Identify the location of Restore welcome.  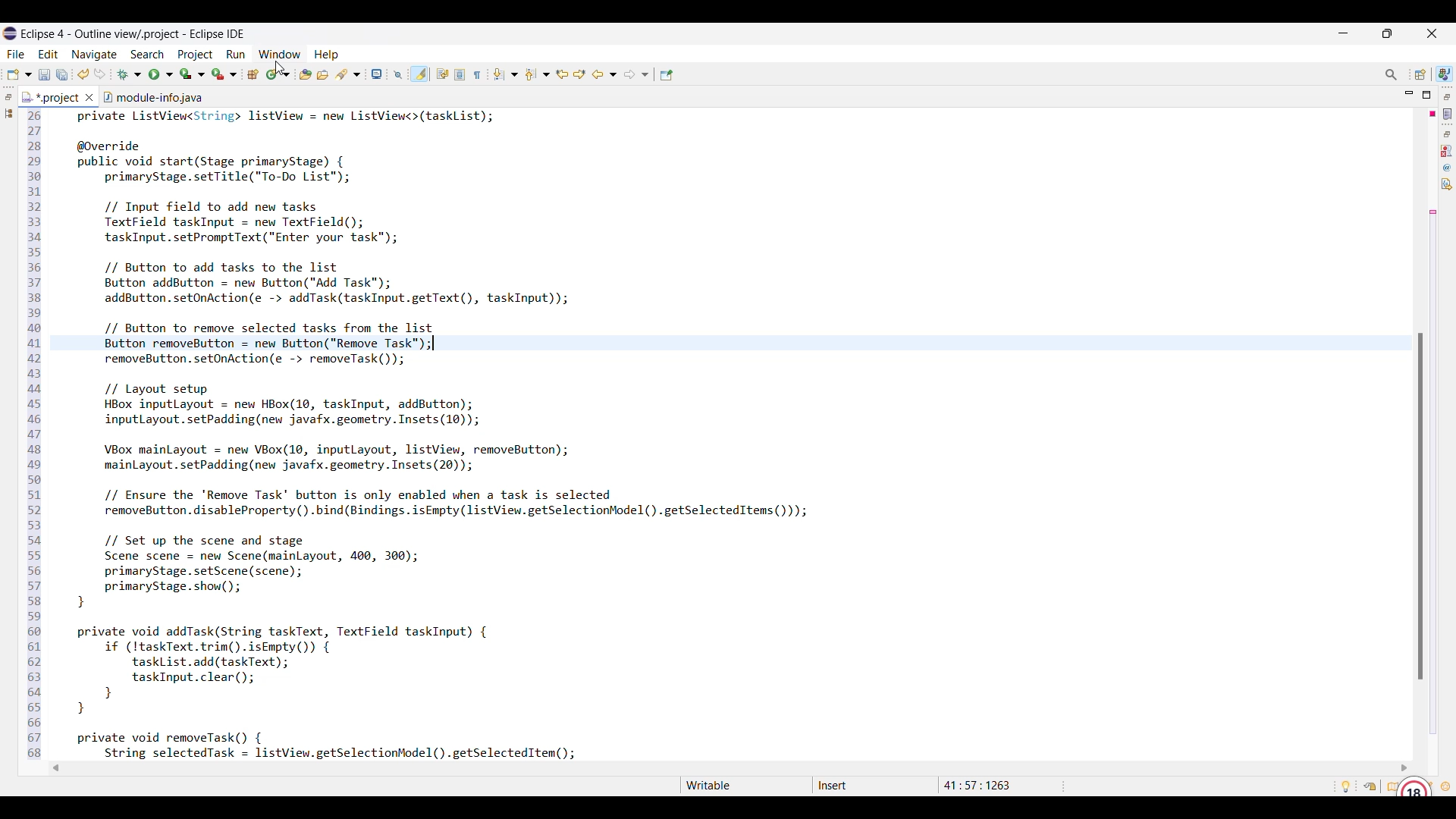
(1370, 786).